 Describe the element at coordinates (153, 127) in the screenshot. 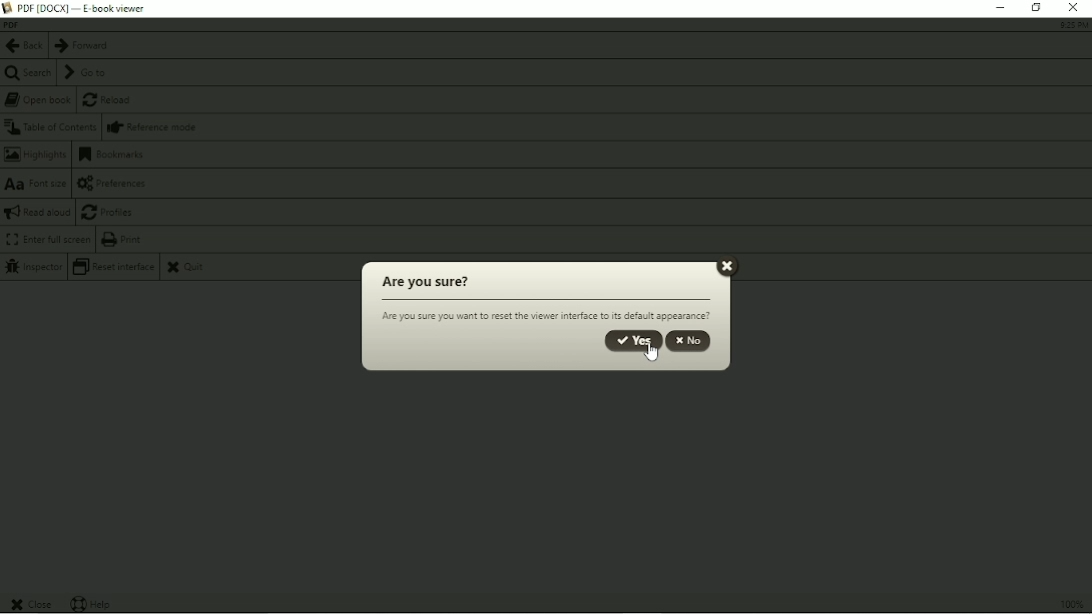

I see `Reference mode` at that location.